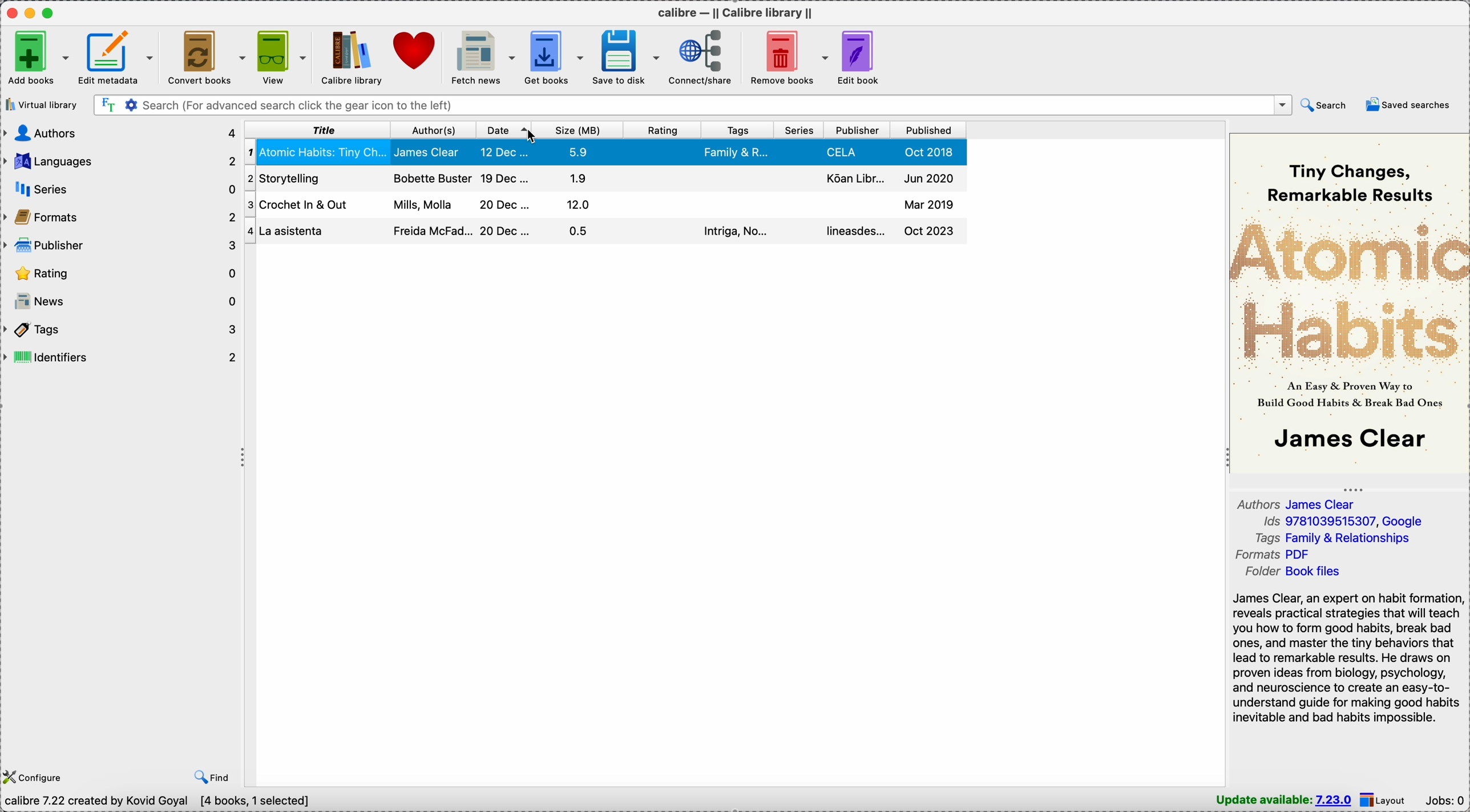  What do you see at coordinates (122, 159) in the screenshot?
I see `languages` at bounding box center [122, 159].